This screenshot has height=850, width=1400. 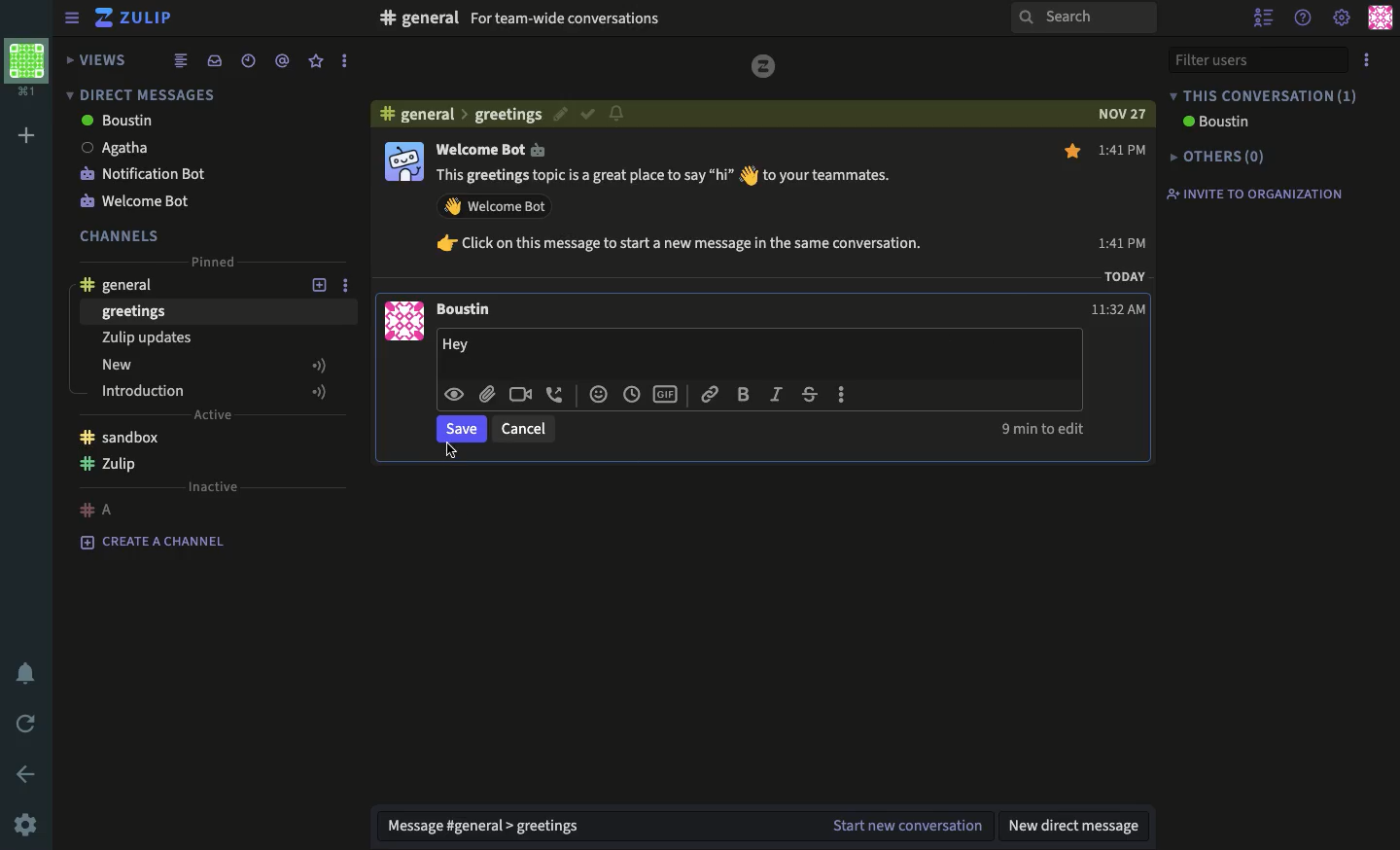 I want to click on refresh, so click(x=23, y=722).